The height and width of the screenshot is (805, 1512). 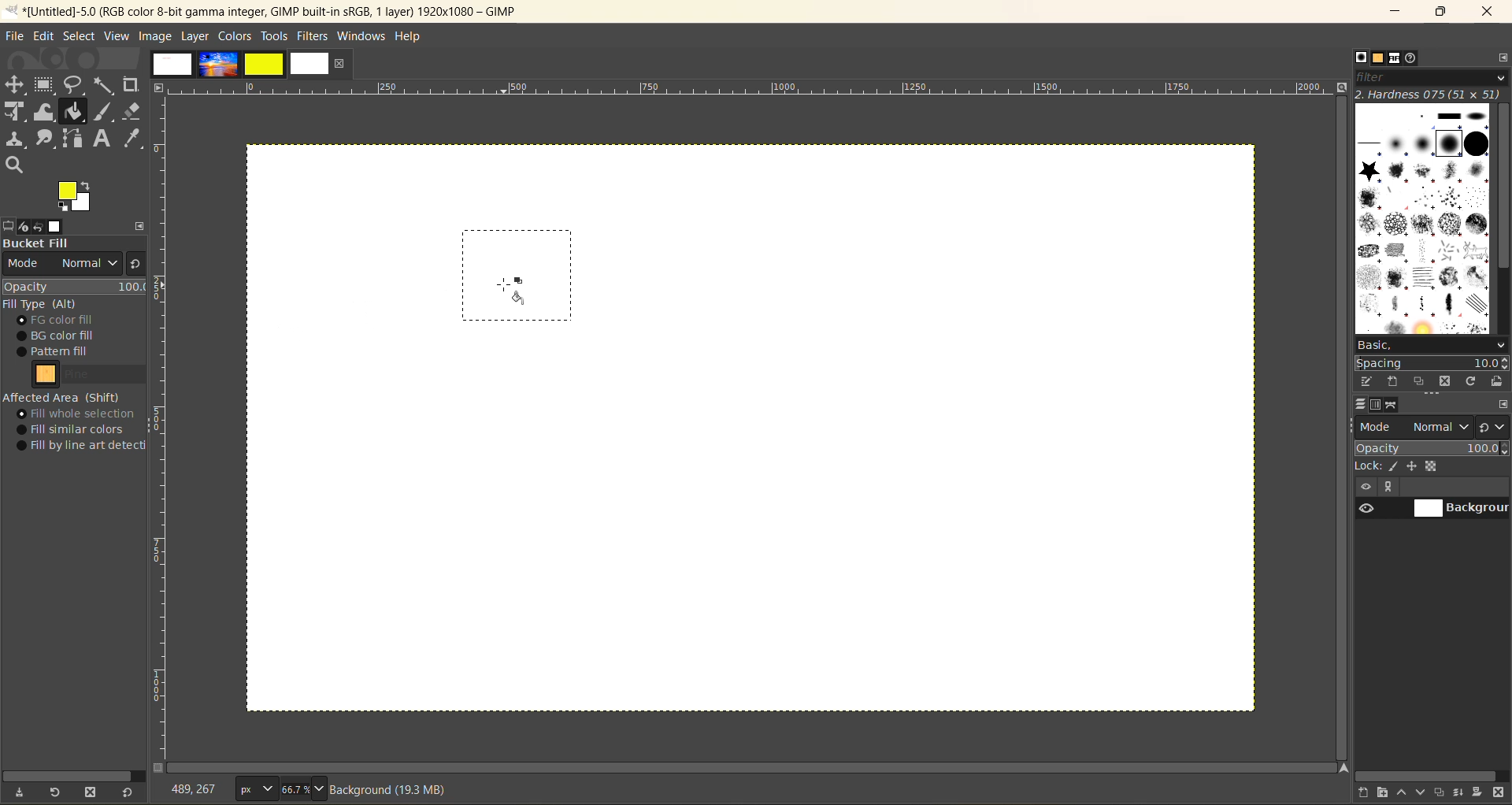 I want to click on horizontal scroll bar, so click(x=72, y=774).